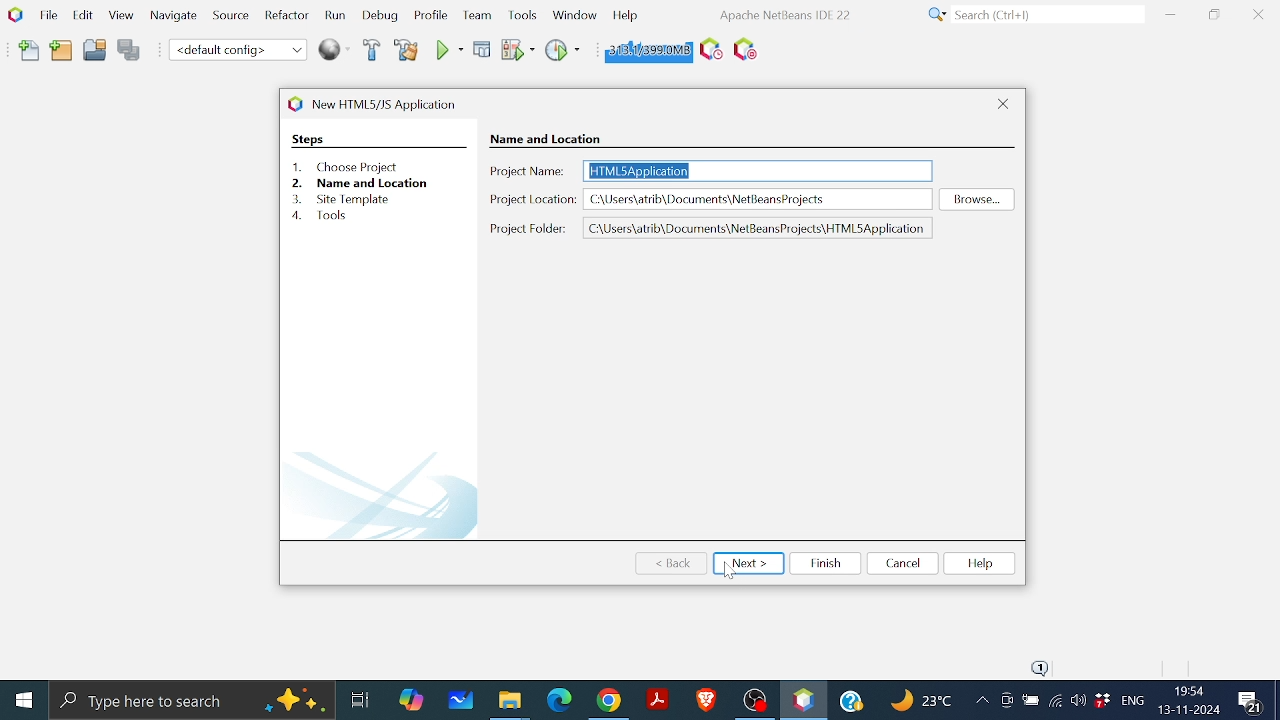  Describe the element at coordinates (924, 703) in the screenshot. I see `Weather` at that location.